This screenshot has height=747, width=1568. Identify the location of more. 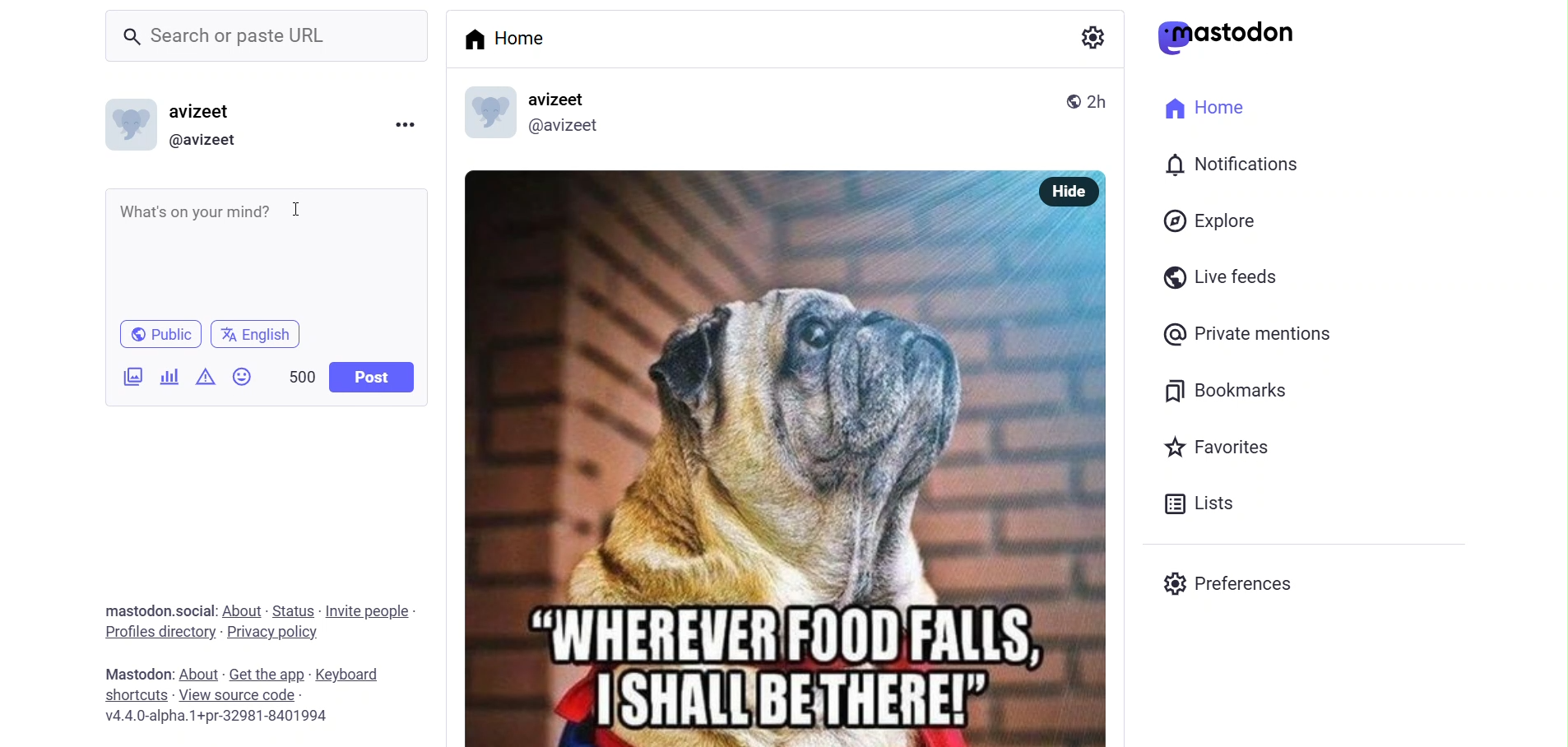
(401, 123).